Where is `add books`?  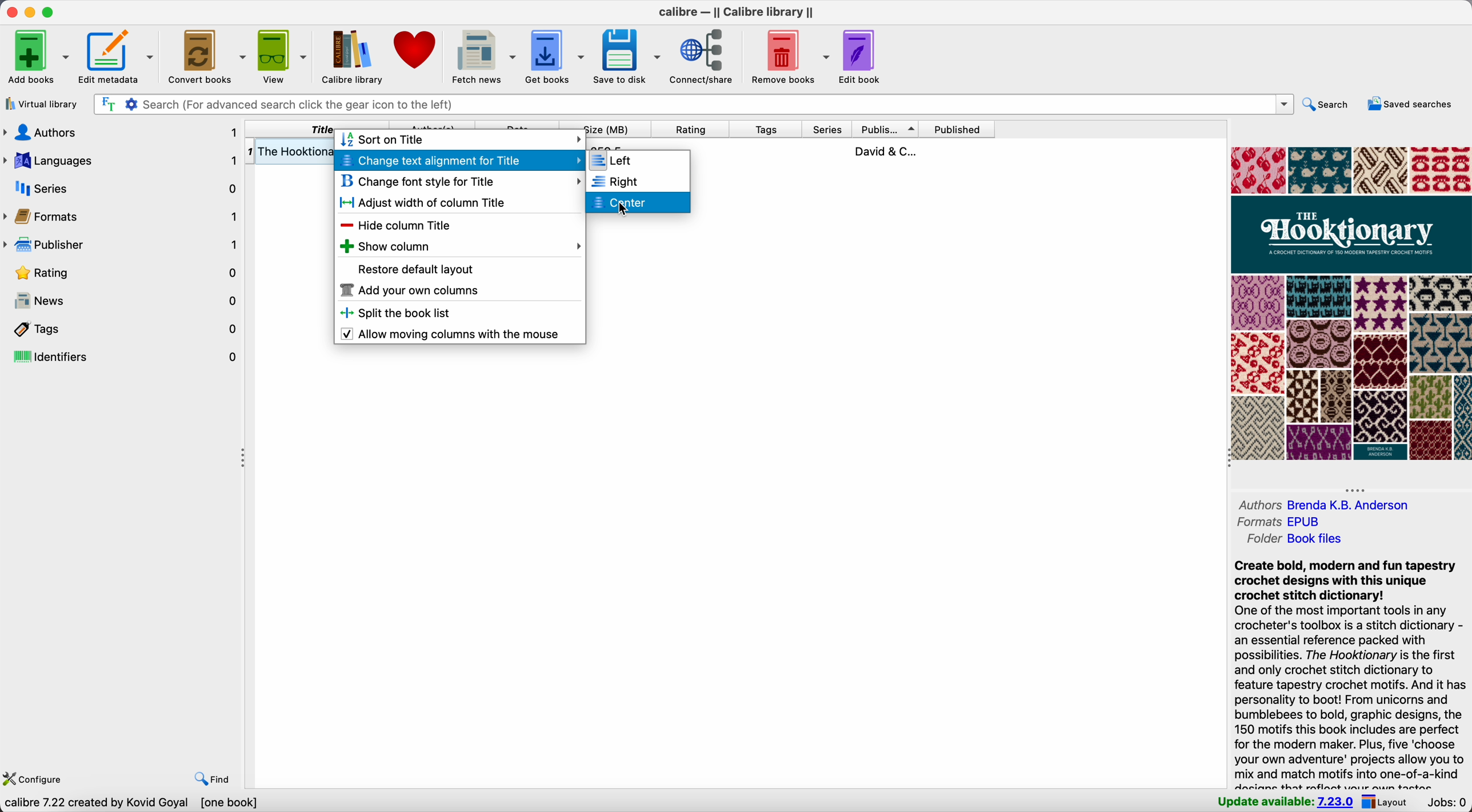 add books is located at coordinates (37, 56).